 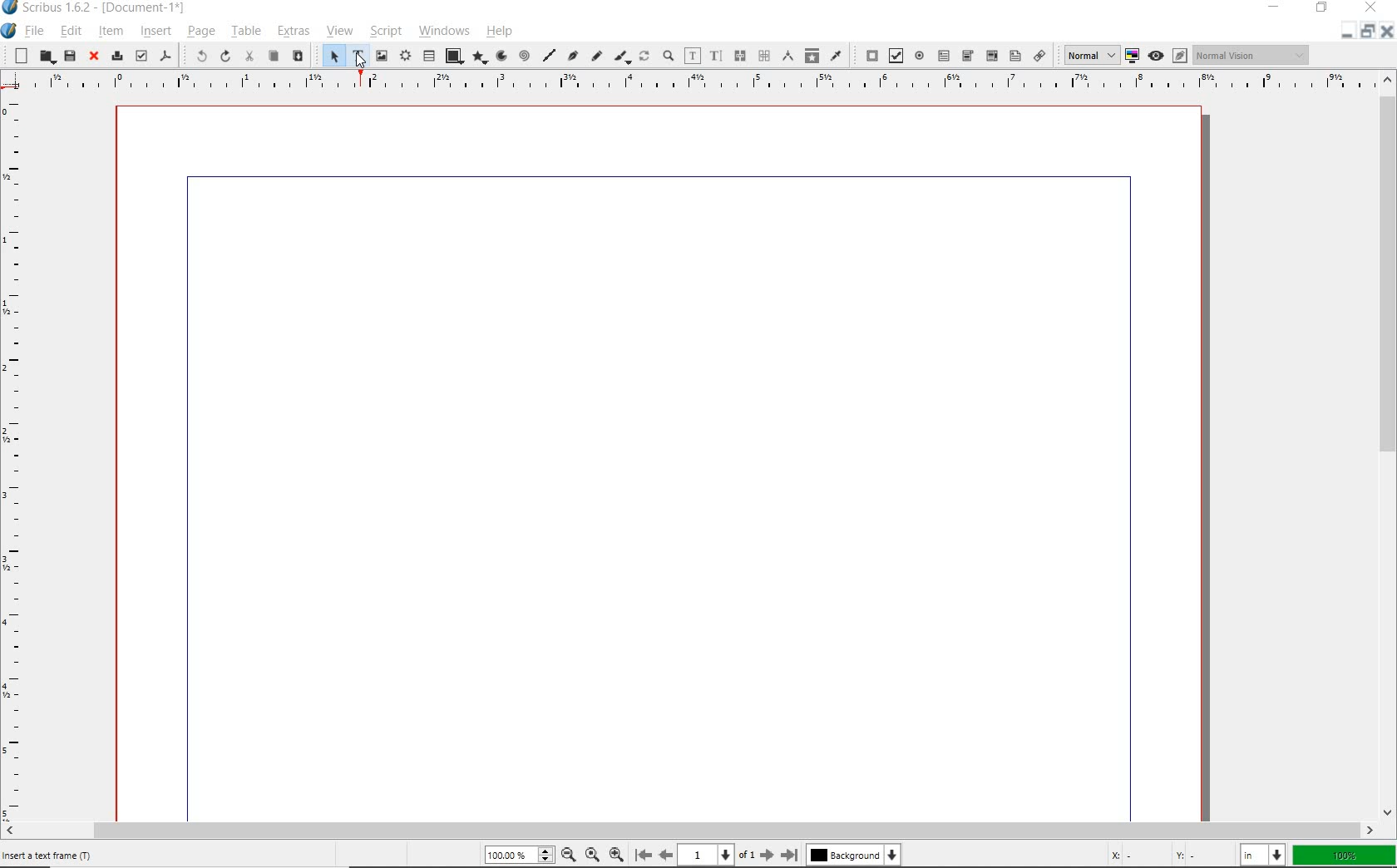 I want to click on table, so click(x=246, y=32).